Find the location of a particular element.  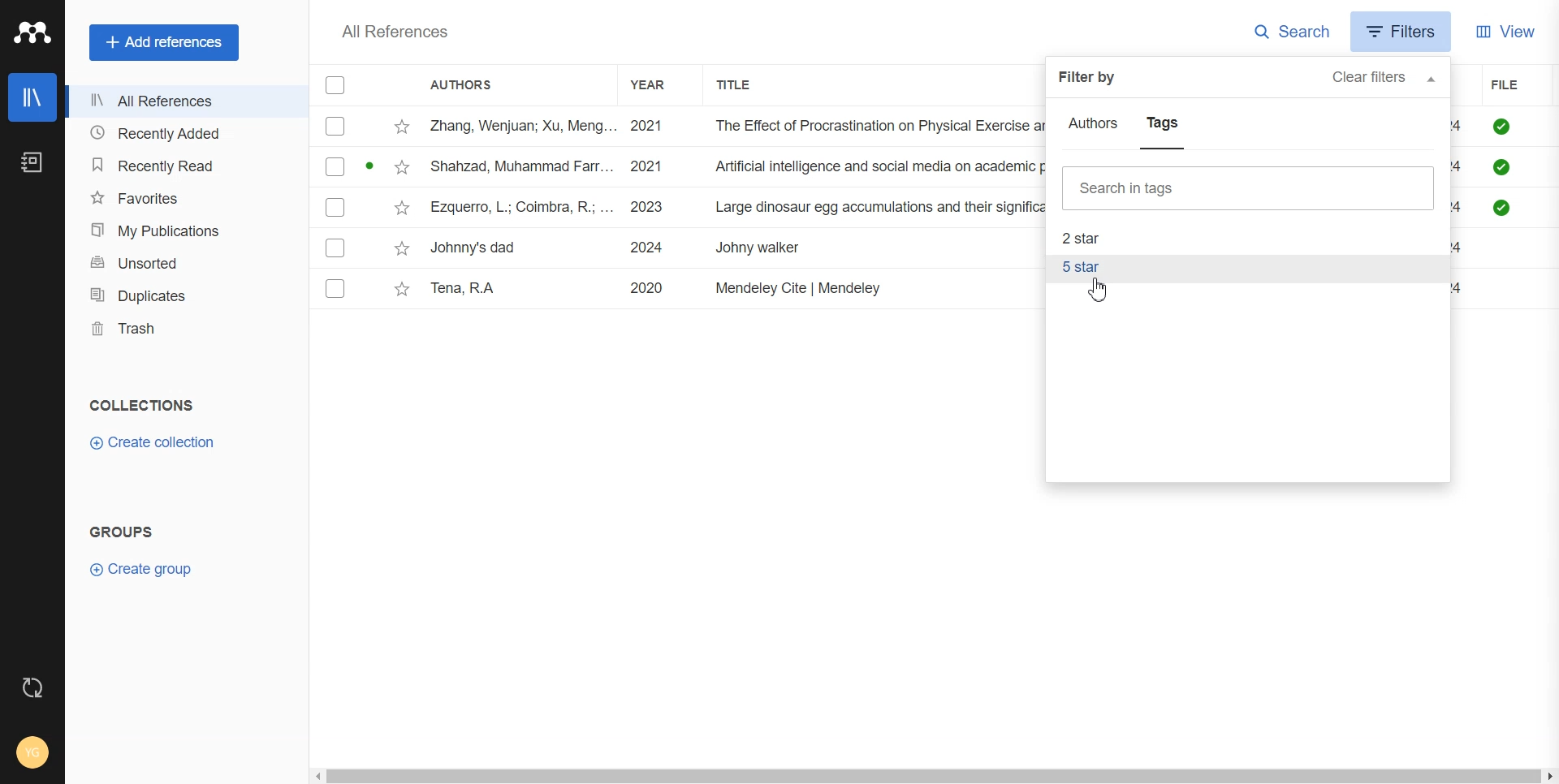

5 star is located at coordinates (1242, 268).